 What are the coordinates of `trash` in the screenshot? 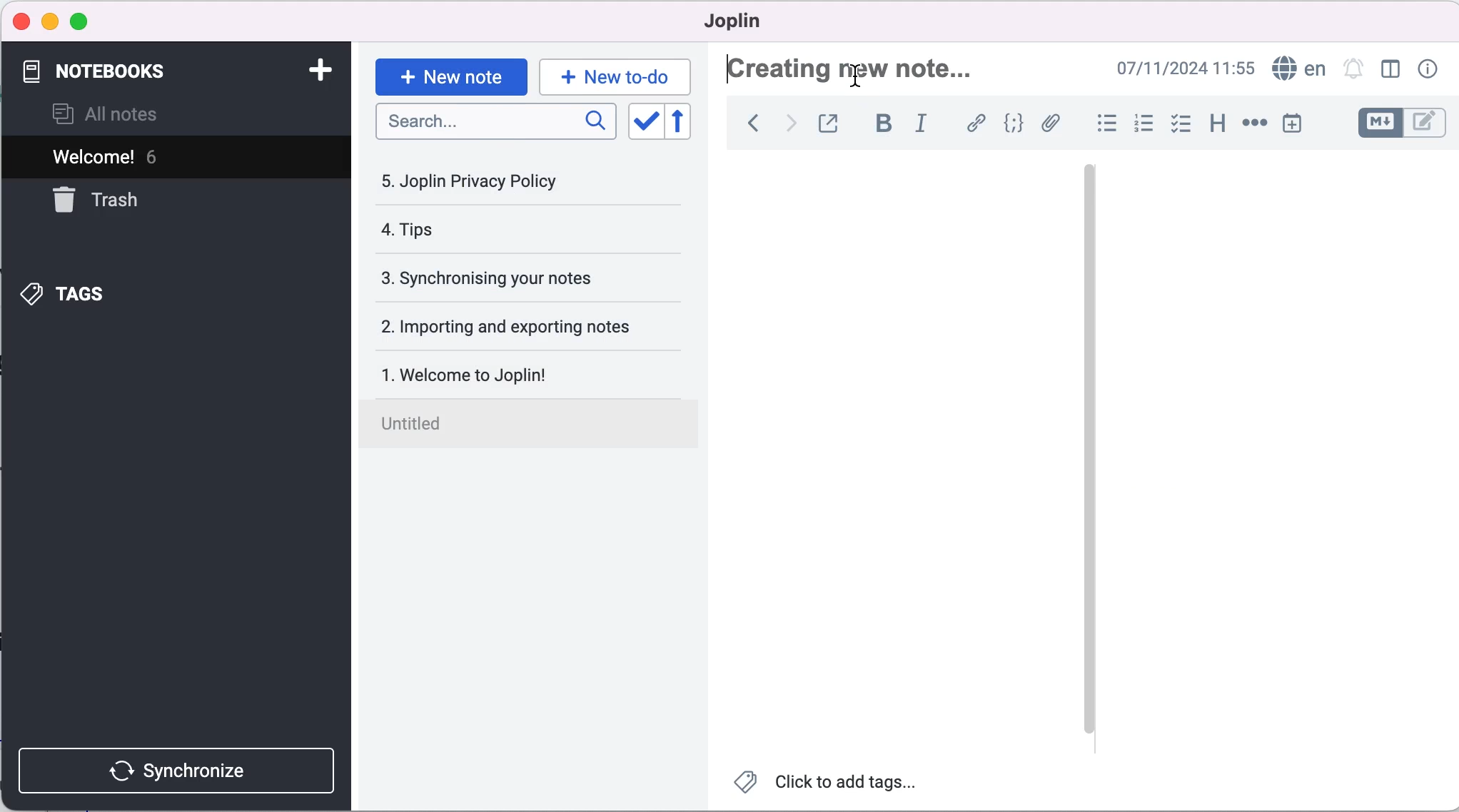 It's located at (131, 201).